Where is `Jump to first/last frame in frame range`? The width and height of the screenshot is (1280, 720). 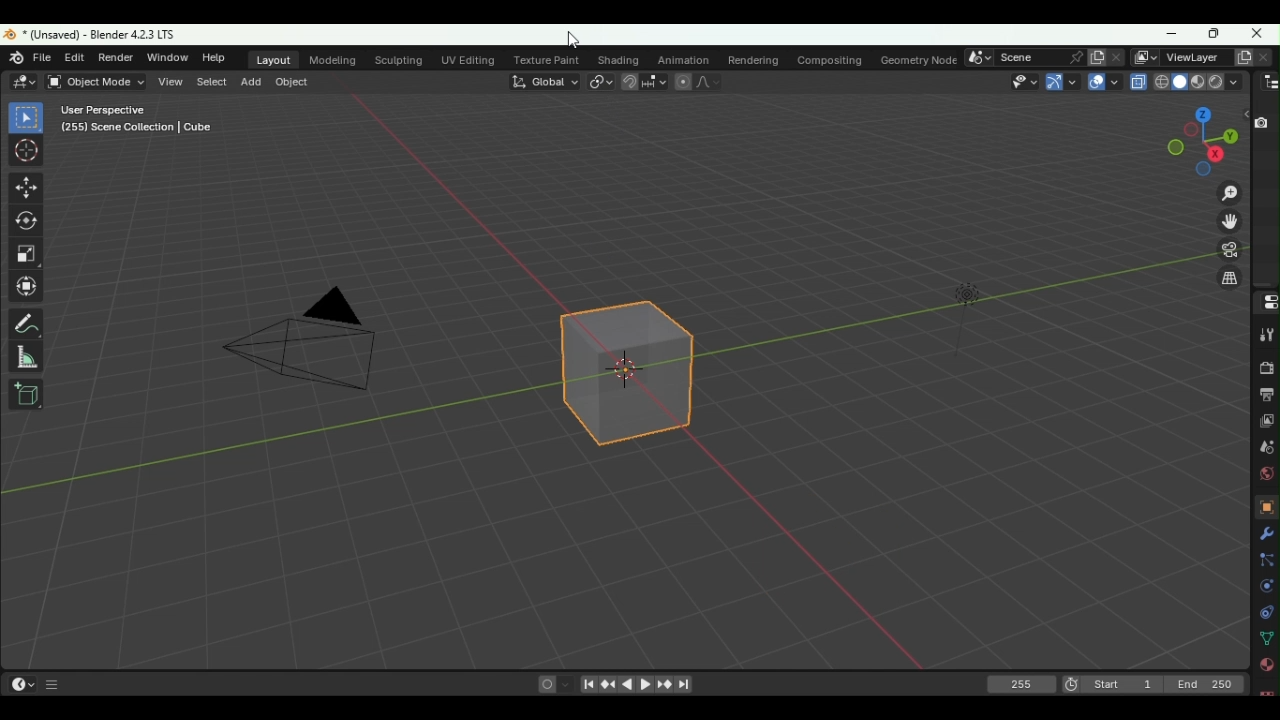
Jump to first/last frame in frame range is located at coordinates (589, 685).